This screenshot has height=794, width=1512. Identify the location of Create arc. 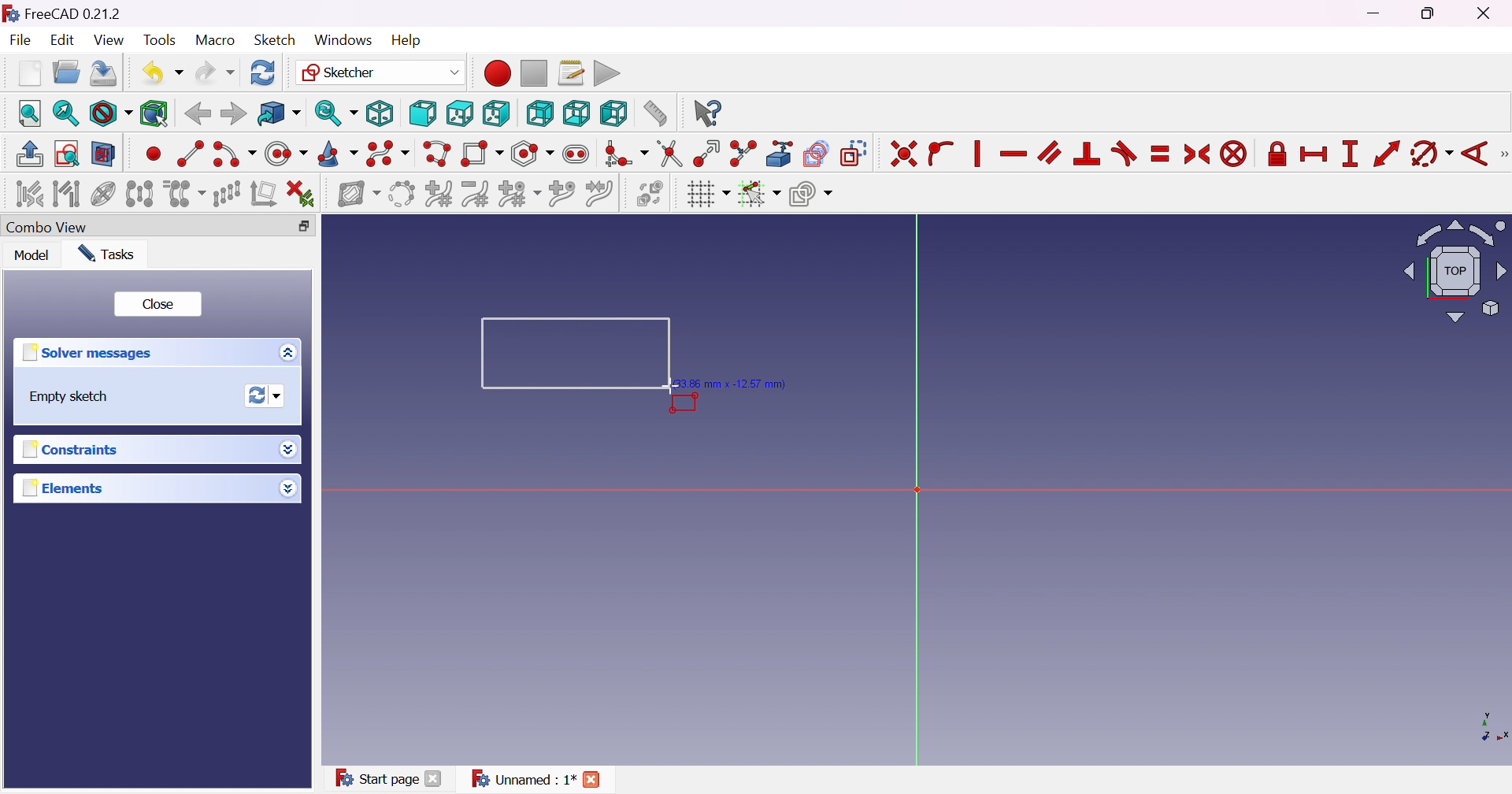
(233, 157).